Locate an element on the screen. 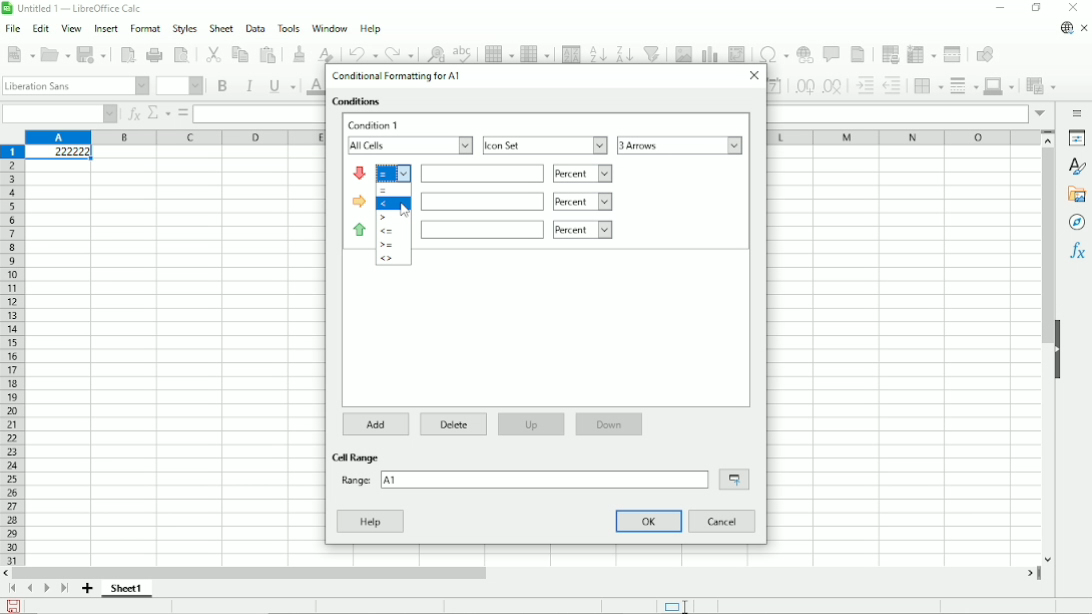  scroll left is located at coordinates (8, 573).